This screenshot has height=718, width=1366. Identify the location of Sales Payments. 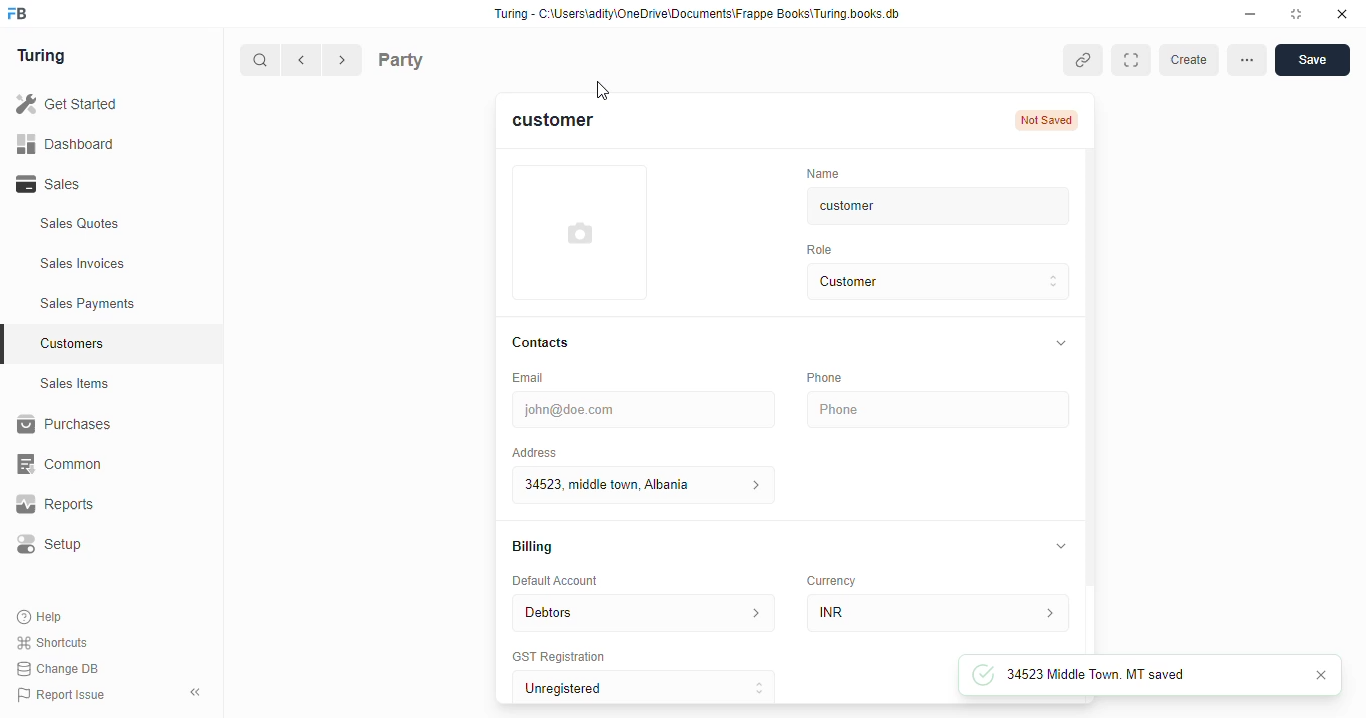
(118, 304).